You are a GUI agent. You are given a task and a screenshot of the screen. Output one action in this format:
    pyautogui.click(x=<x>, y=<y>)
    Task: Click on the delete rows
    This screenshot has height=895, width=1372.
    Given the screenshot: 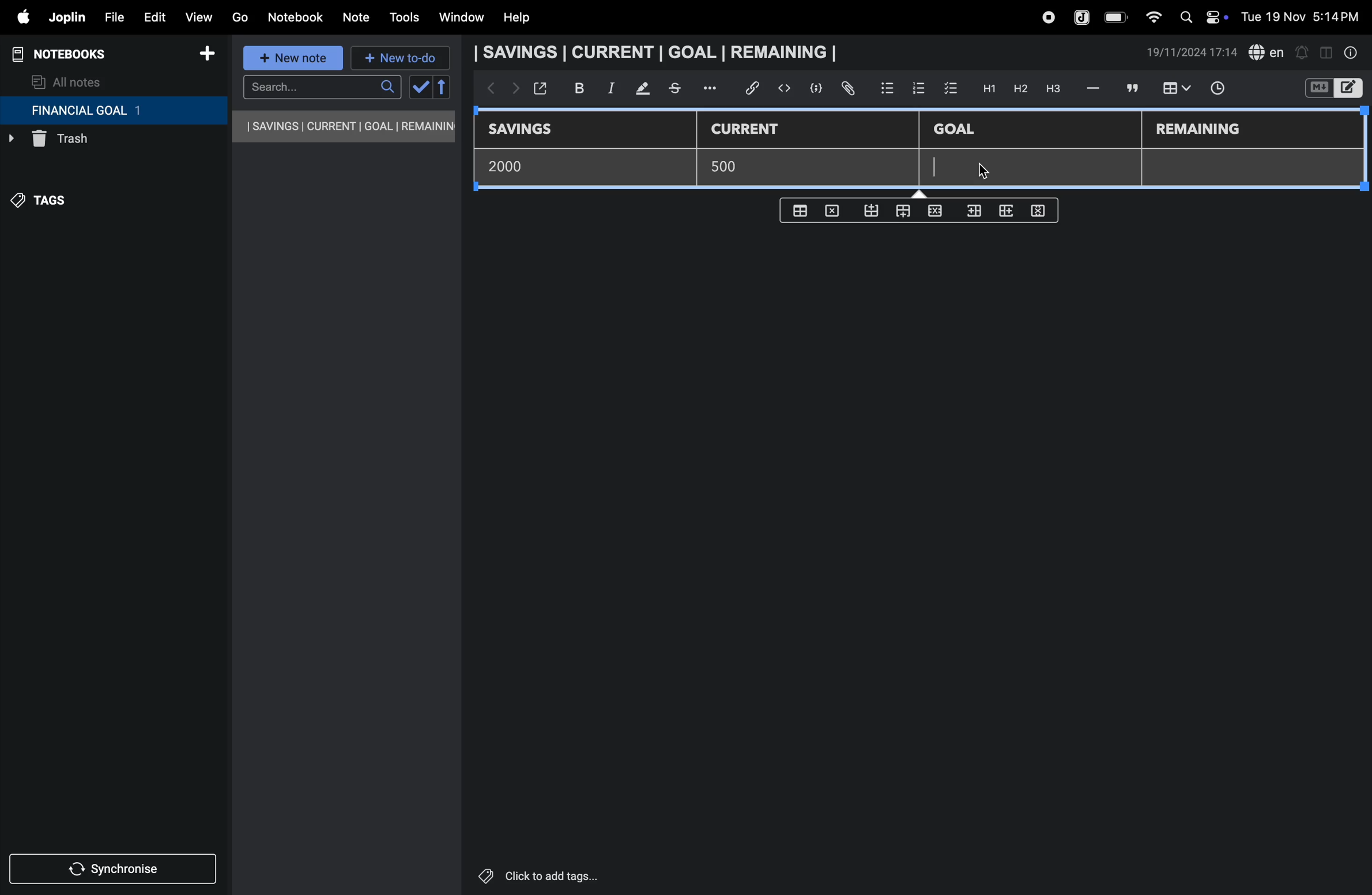 What is the action you would take?
    pyautogui.click(x=1039, y=210)
    